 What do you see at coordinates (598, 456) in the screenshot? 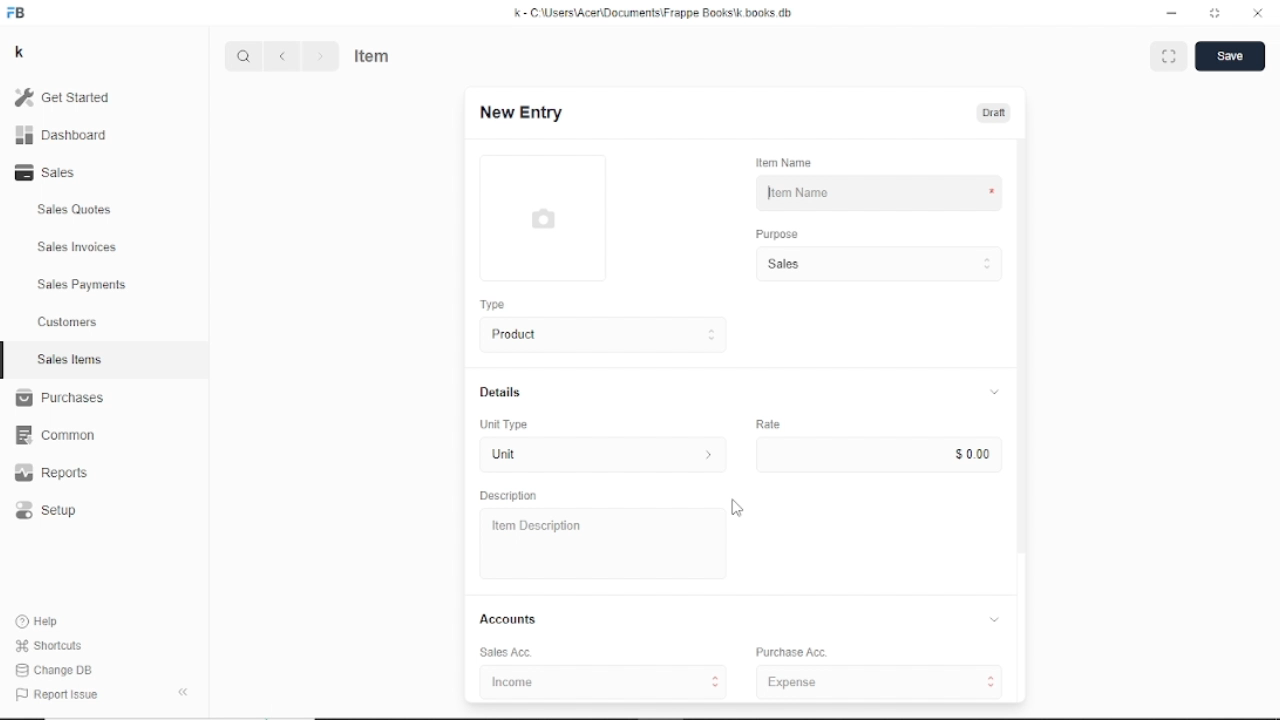
I see `Unit` at bounding box center [598, 456].